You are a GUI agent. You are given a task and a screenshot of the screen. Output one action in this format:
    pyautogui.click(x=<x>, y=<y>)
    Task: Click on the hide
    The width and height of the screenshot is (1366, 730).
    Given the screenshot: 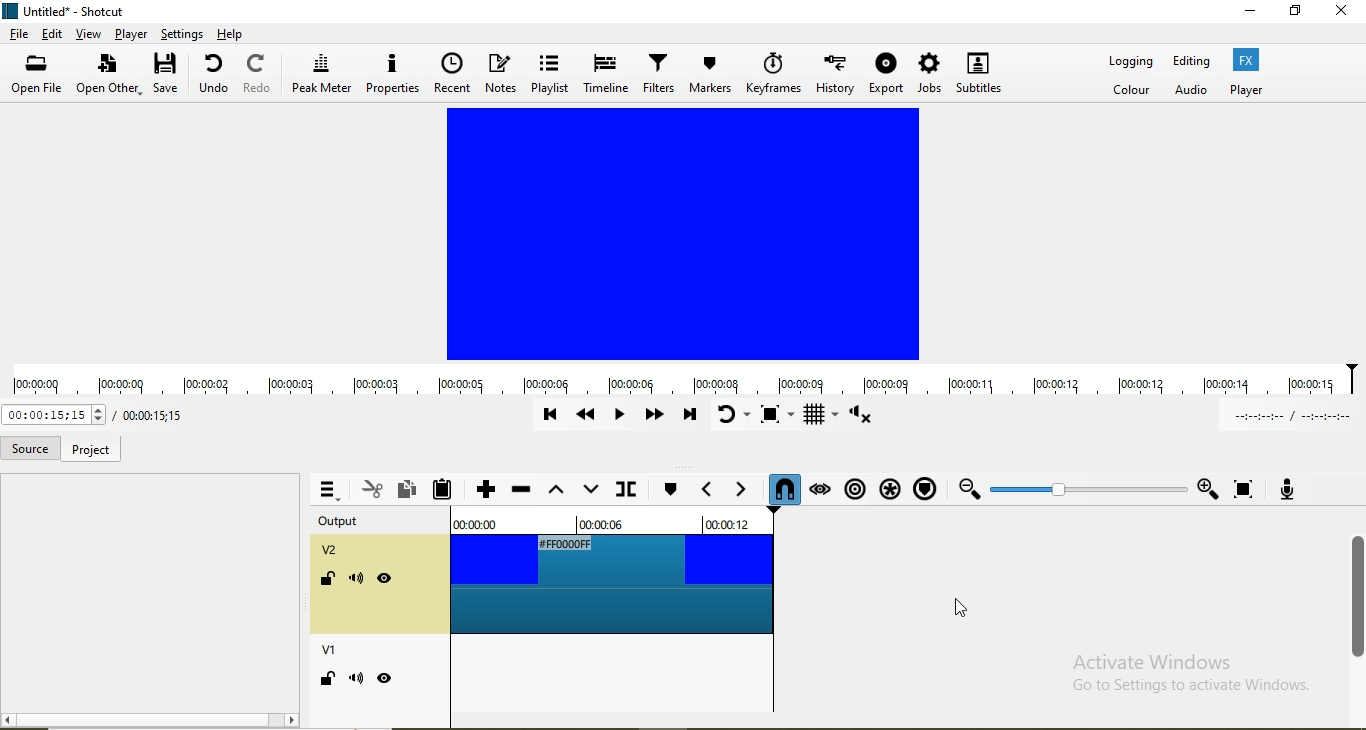 What is the action you would take?
    pyautogui.click(x=386, y=678)
    